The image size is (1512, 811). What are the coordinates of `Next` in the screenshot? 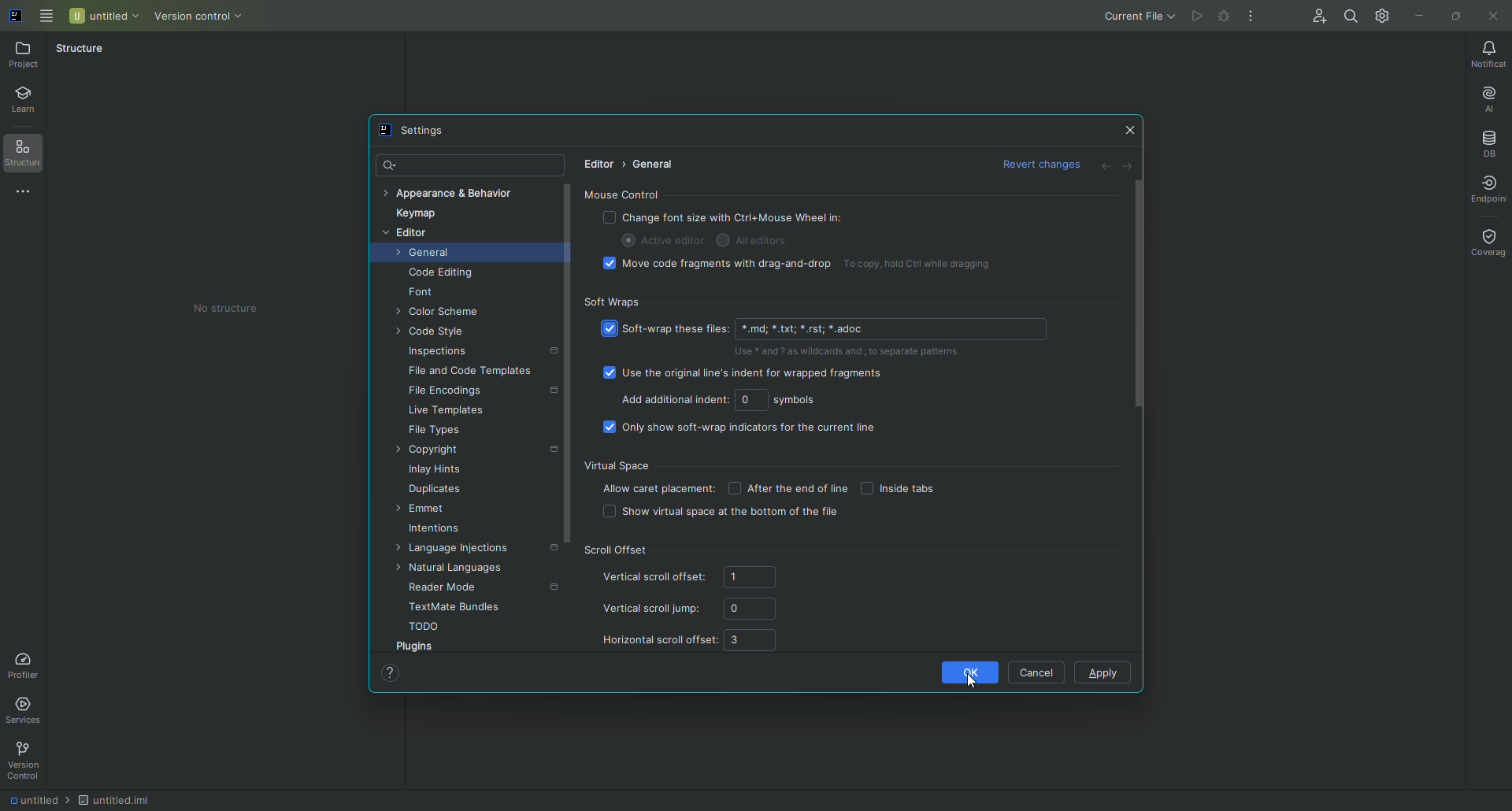 It's located at (1132, 168).